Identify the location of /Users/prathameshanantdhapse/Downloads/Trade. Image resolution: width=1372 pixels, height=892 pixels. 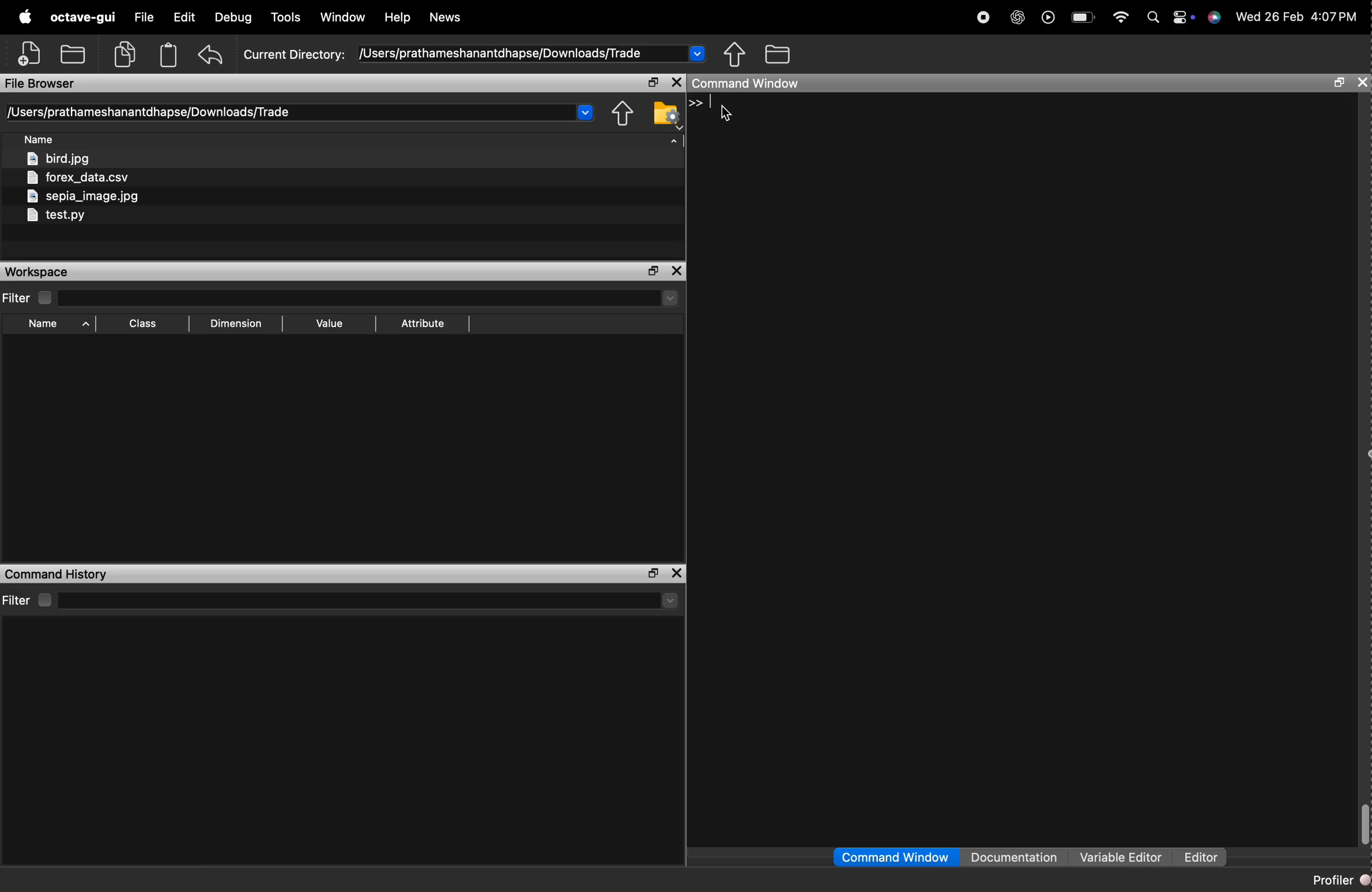
(150, 112).